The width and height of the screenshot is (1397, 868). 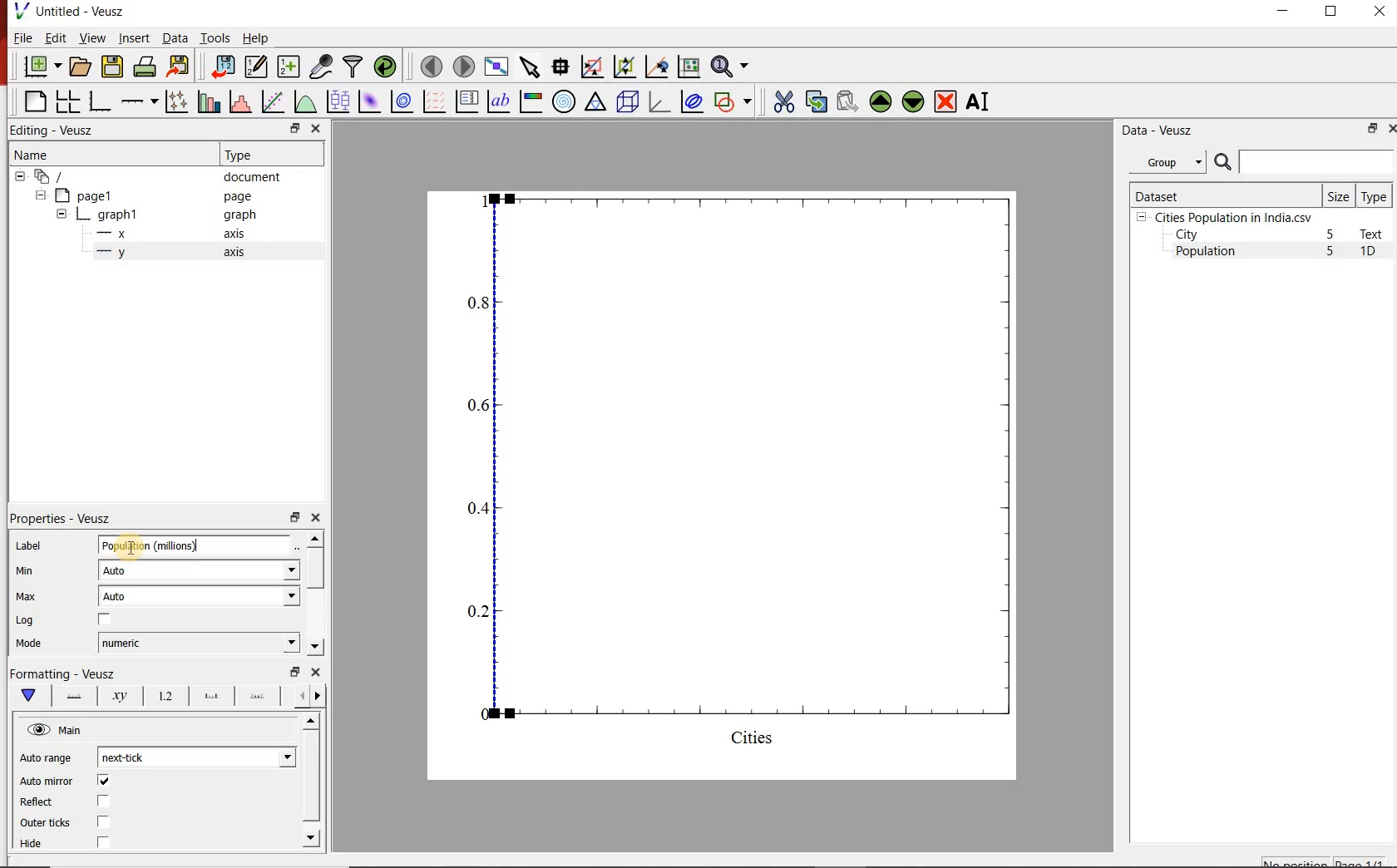 I want to click on Auto, so click(x=200, y=570).